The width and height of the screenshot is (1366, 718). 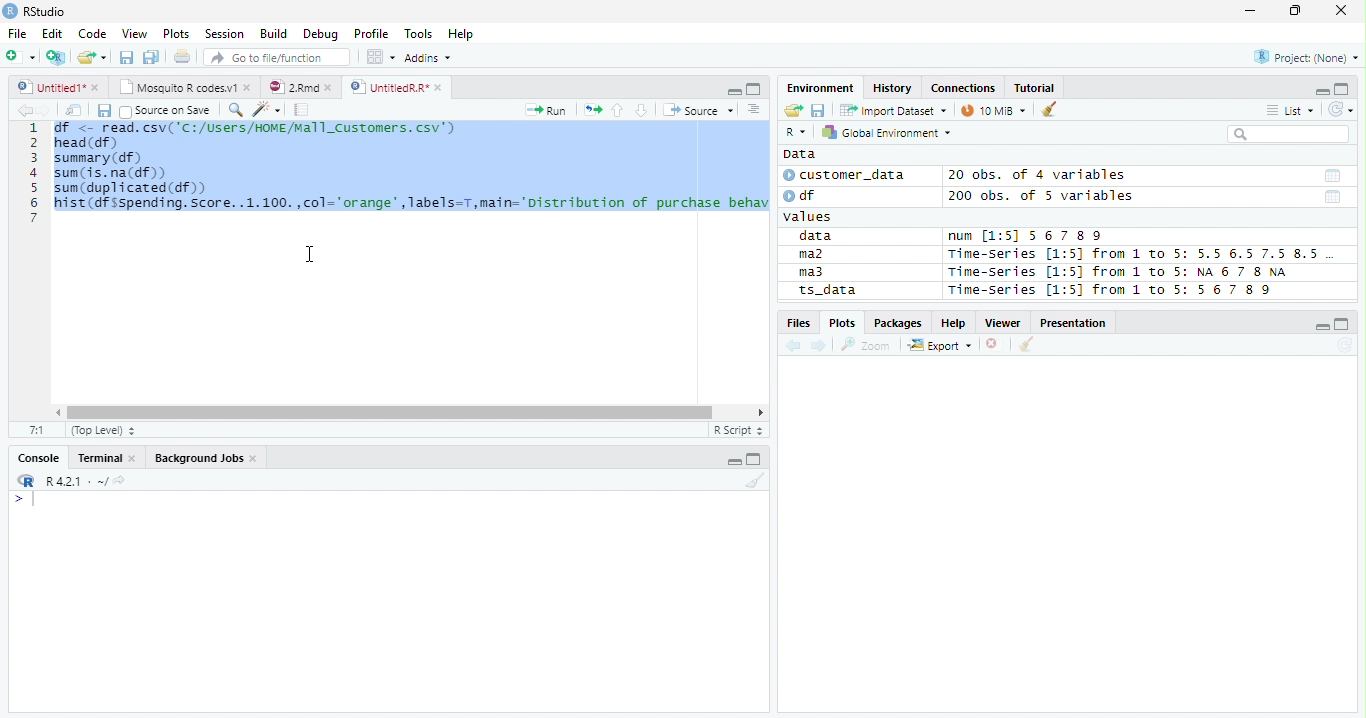 What do you see at coordinates (35, 12) in the screenshot?
I see `RStudio` at bounding box center [35, 12].